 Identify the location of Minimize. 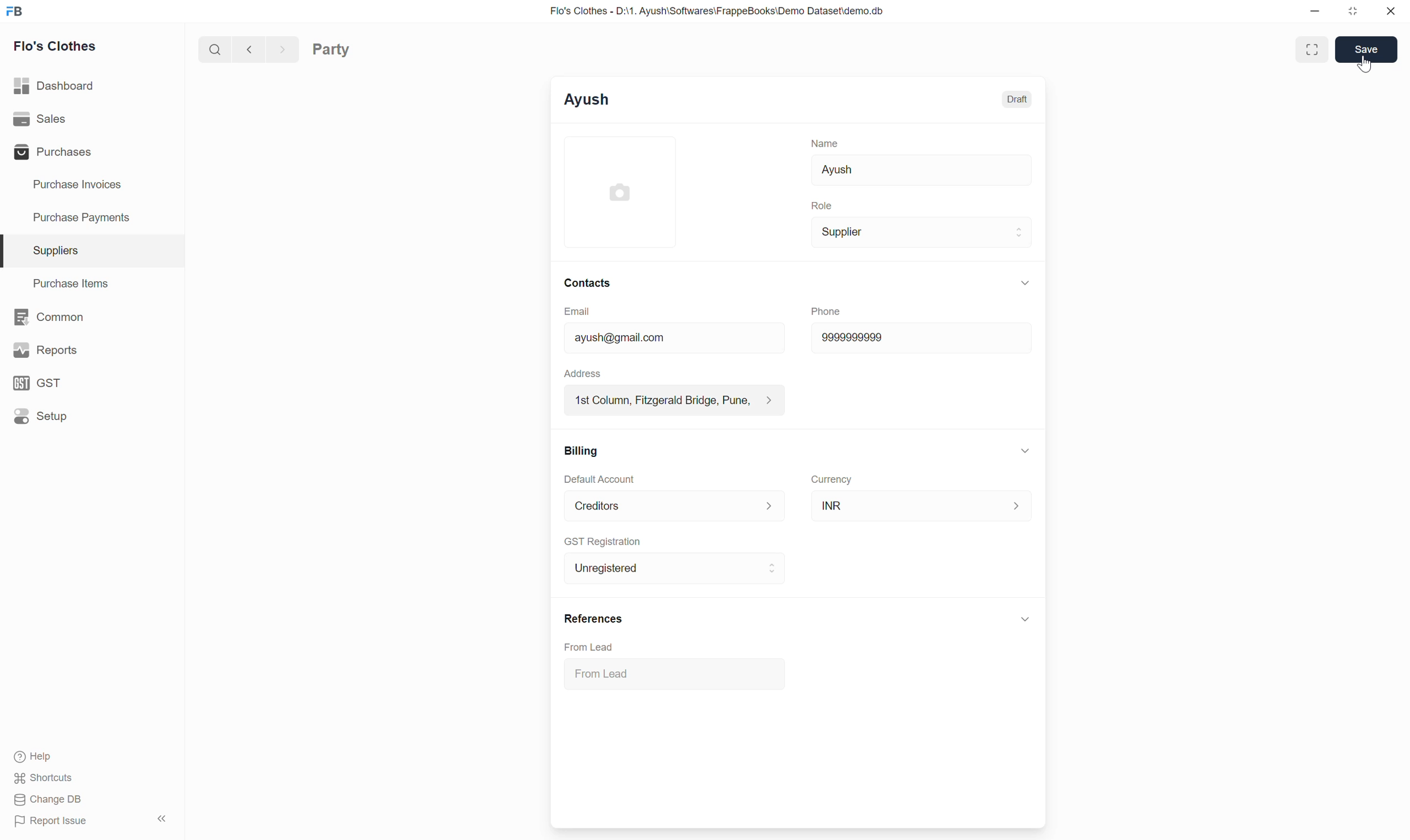
(1315, 11).